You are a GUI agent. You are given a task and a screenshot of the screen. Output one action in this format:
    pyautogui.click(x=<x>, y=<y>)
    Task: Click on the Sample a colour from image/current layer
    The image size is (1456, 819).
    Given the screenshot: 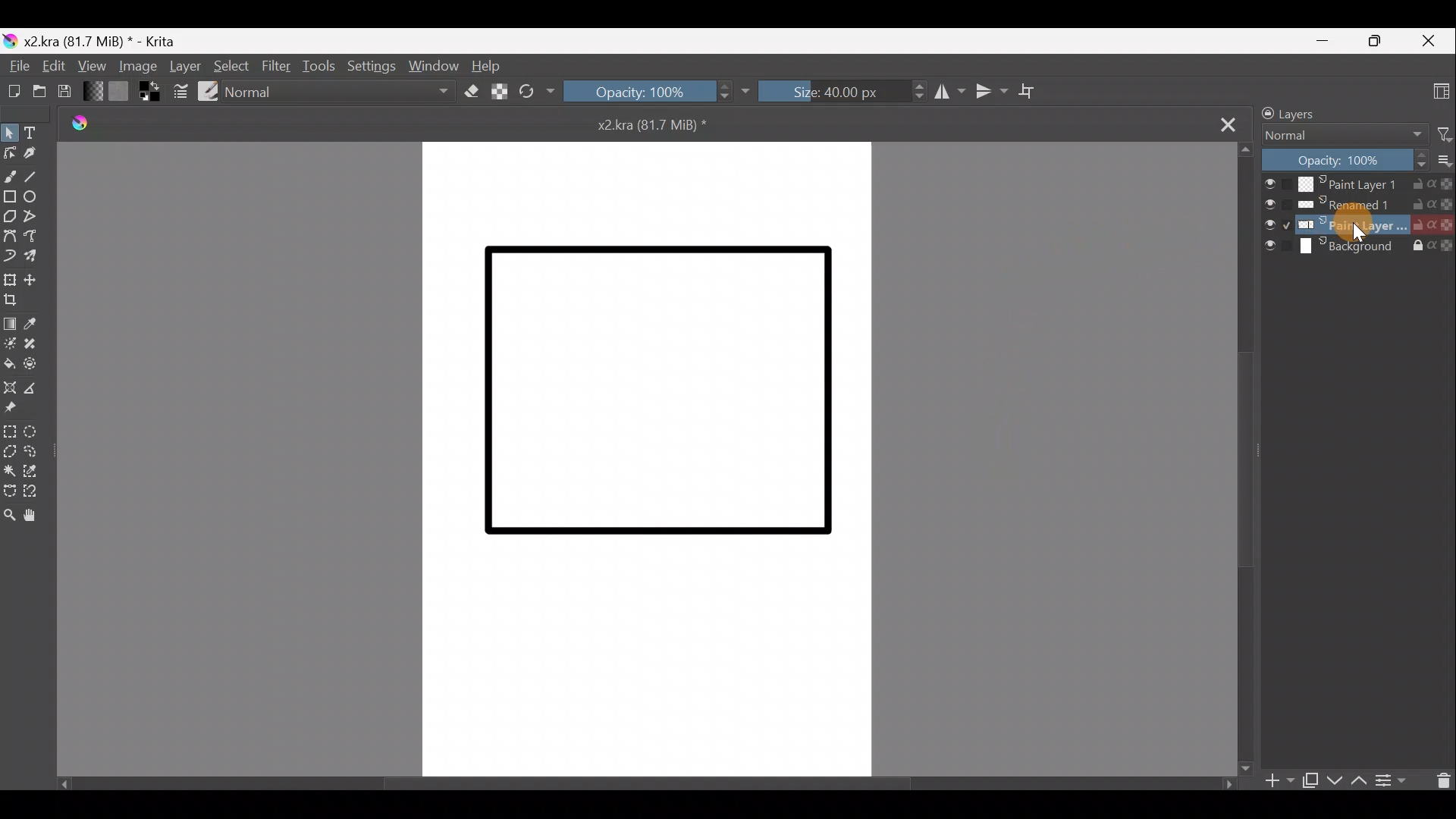 What is the action you would take?
    pyautogui.click(x=37, y=324)
    